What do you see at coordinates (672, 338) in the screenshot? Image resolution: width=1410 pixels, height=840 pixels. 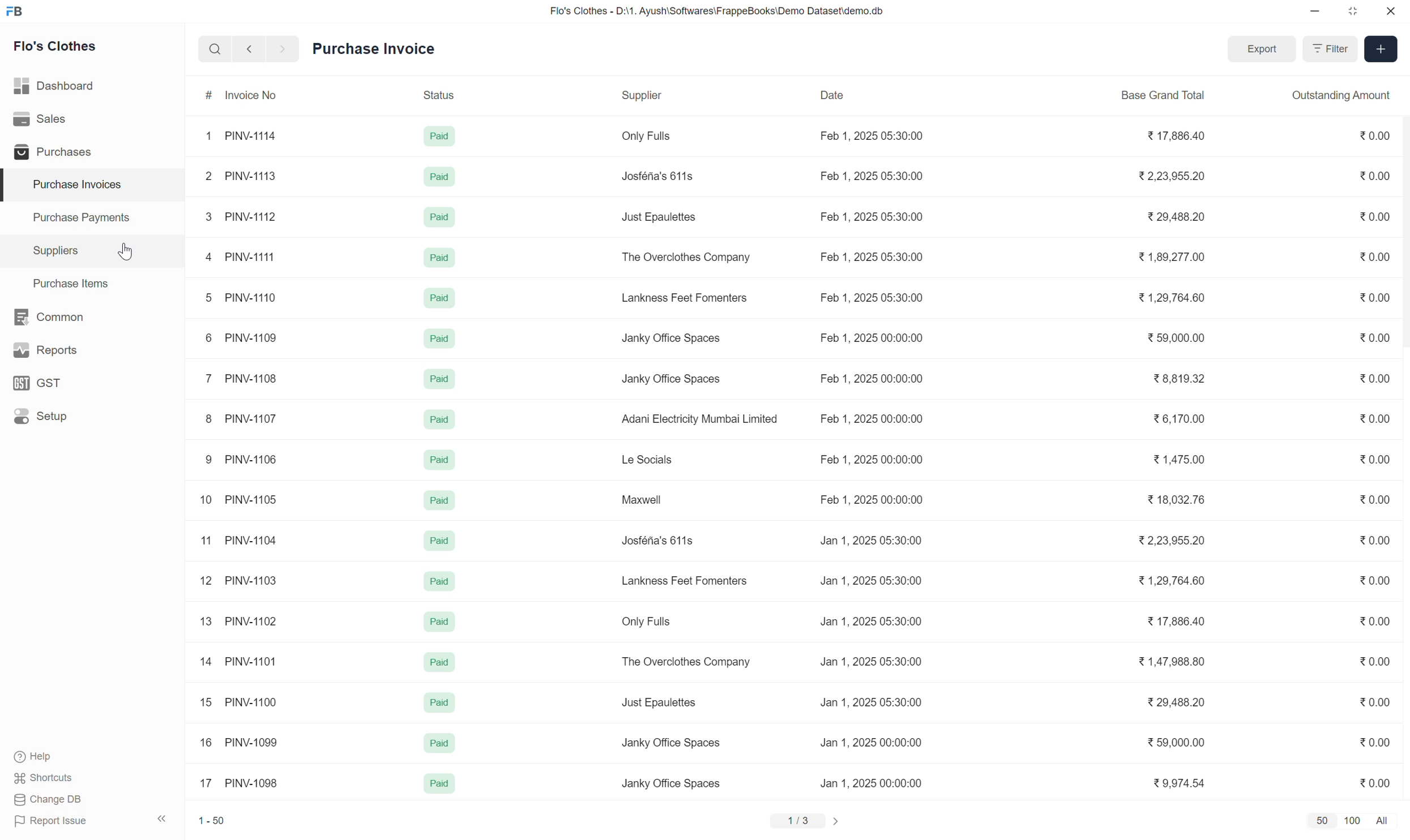 I see `Janky Office Spaces` at bounding box center [672, 338].